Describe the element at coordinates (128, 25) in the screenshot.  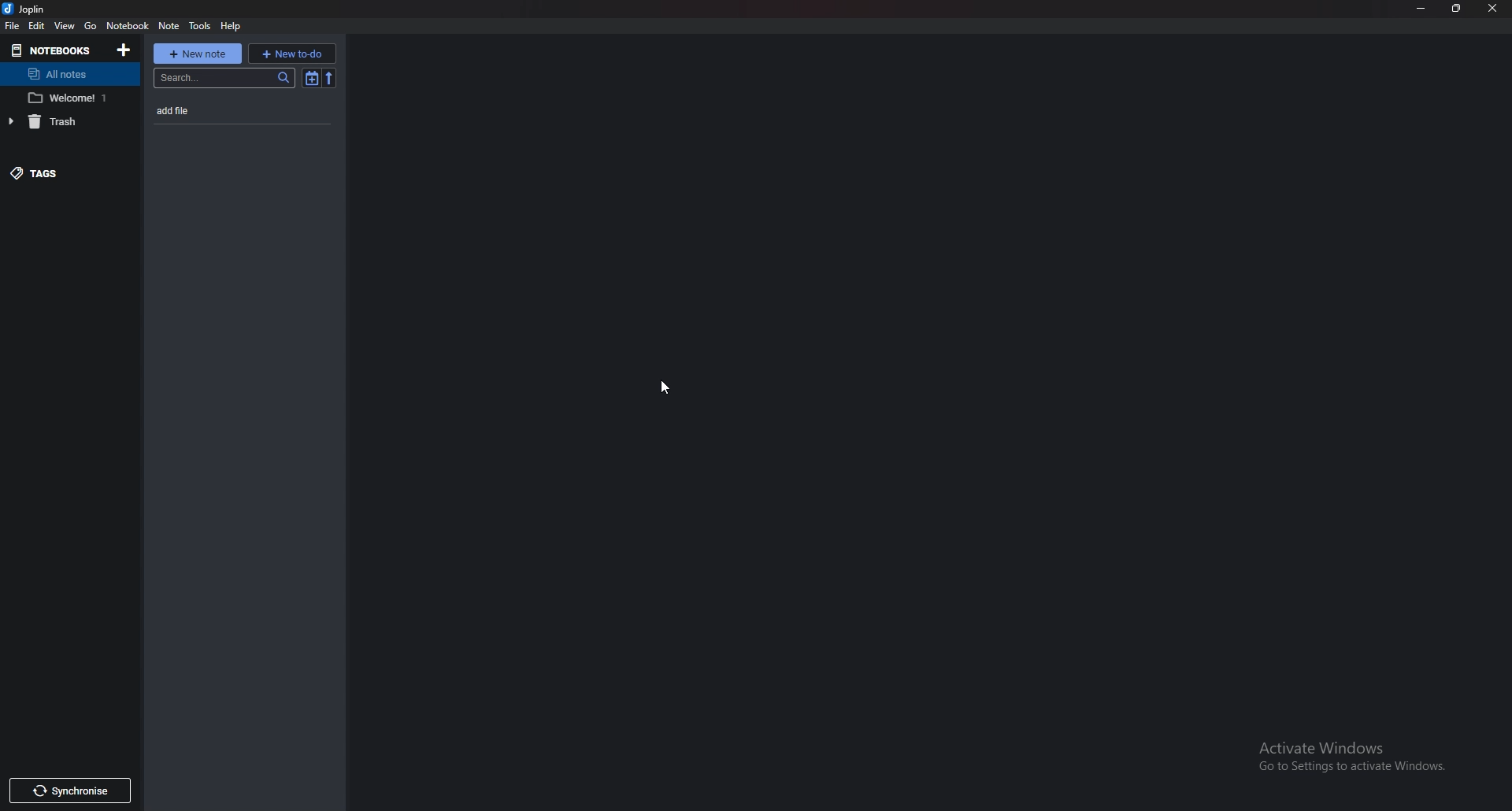
I see `Notebook` at that location.